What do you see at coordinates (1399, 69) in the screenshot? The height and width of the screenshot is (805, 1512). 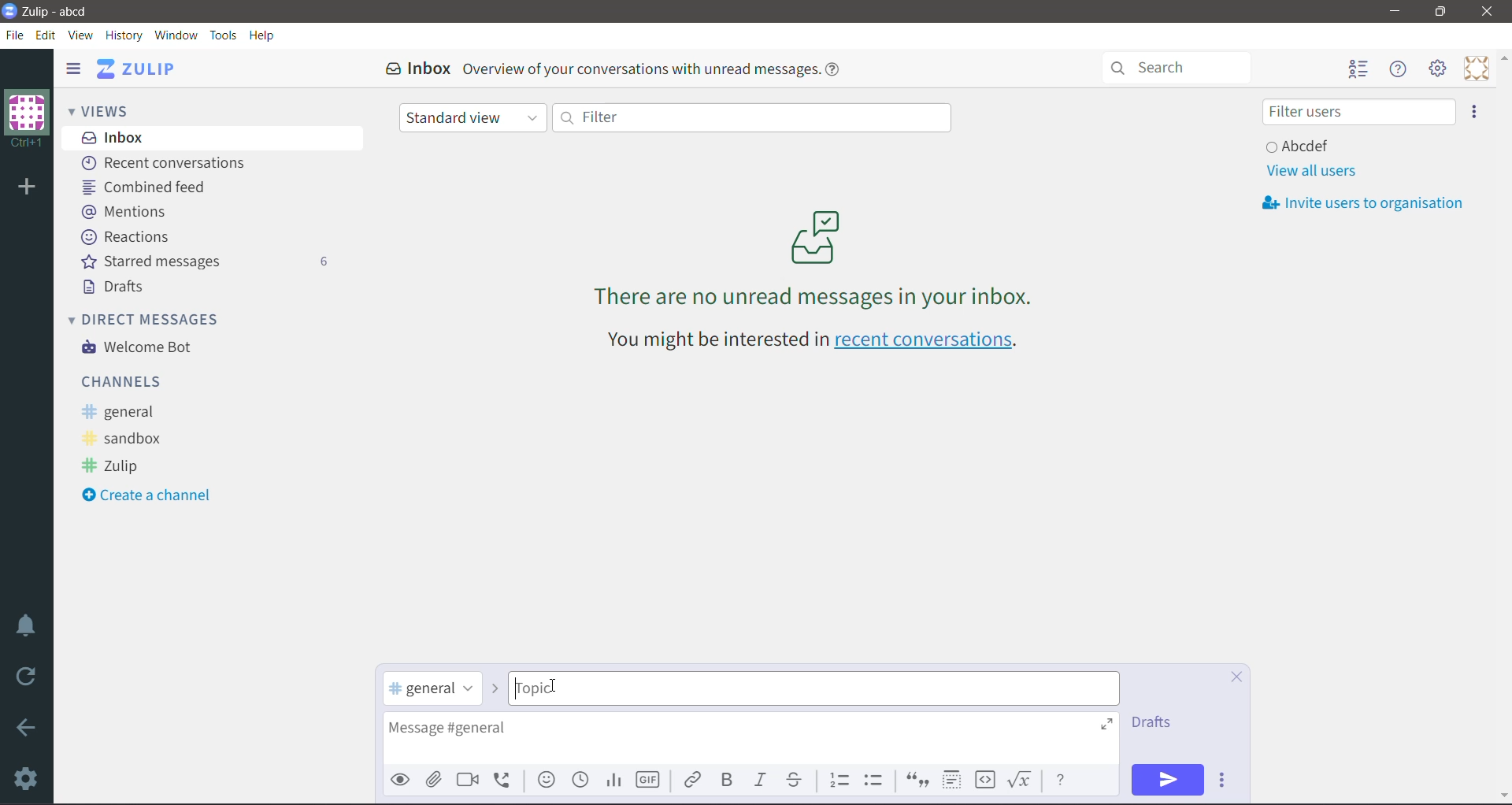 I see `Hide Menu` at bounding box center [1399, 69].